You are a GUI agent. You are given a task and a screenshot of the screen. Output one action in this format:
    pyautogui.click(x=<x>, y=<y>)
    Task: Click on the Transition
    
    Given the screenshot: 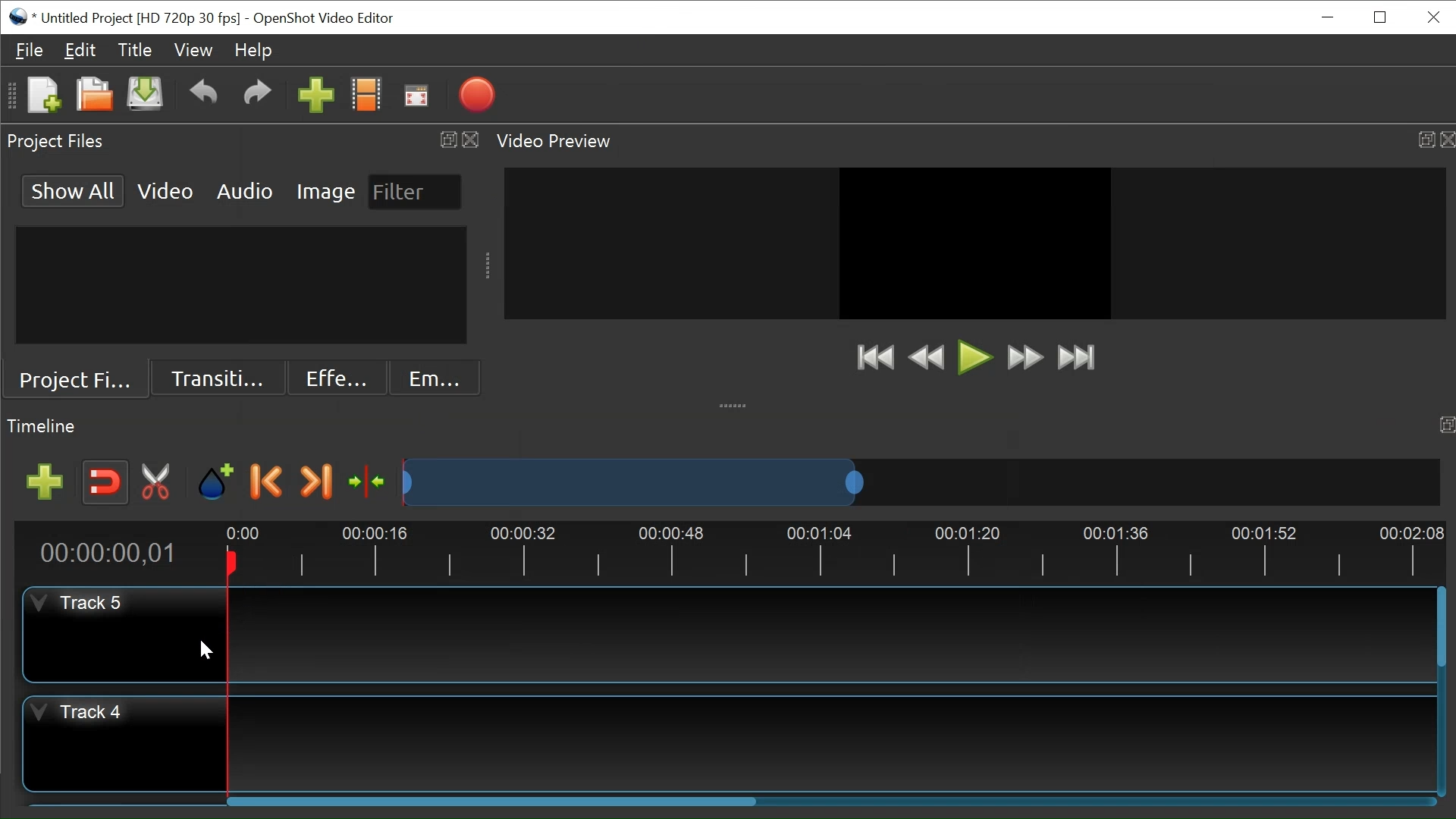 What is the action you would take?
    pyautogui.click(x=215, y=379)
    